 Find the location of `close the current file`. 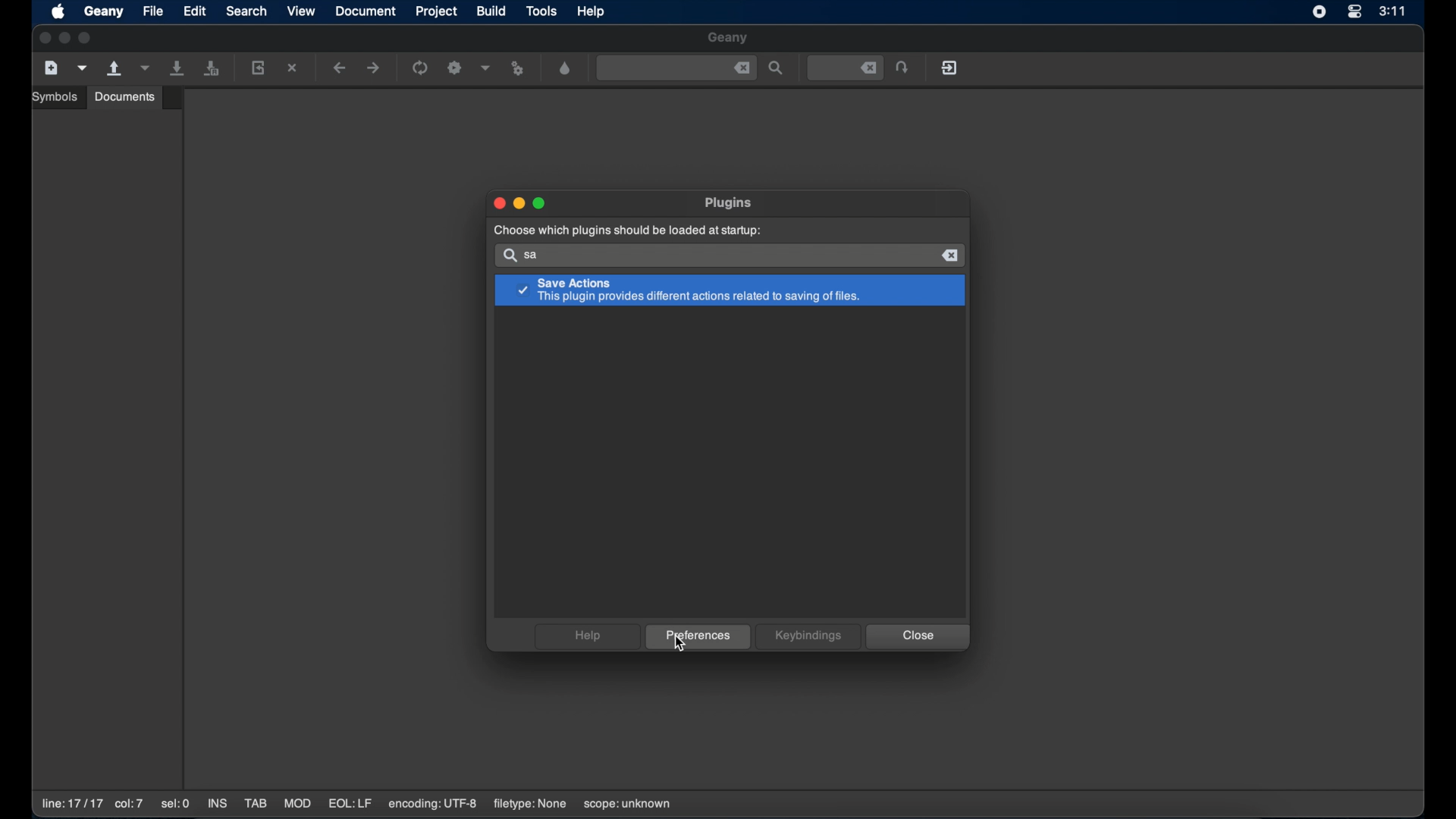

close the current file is located at coordinates (293, 69).